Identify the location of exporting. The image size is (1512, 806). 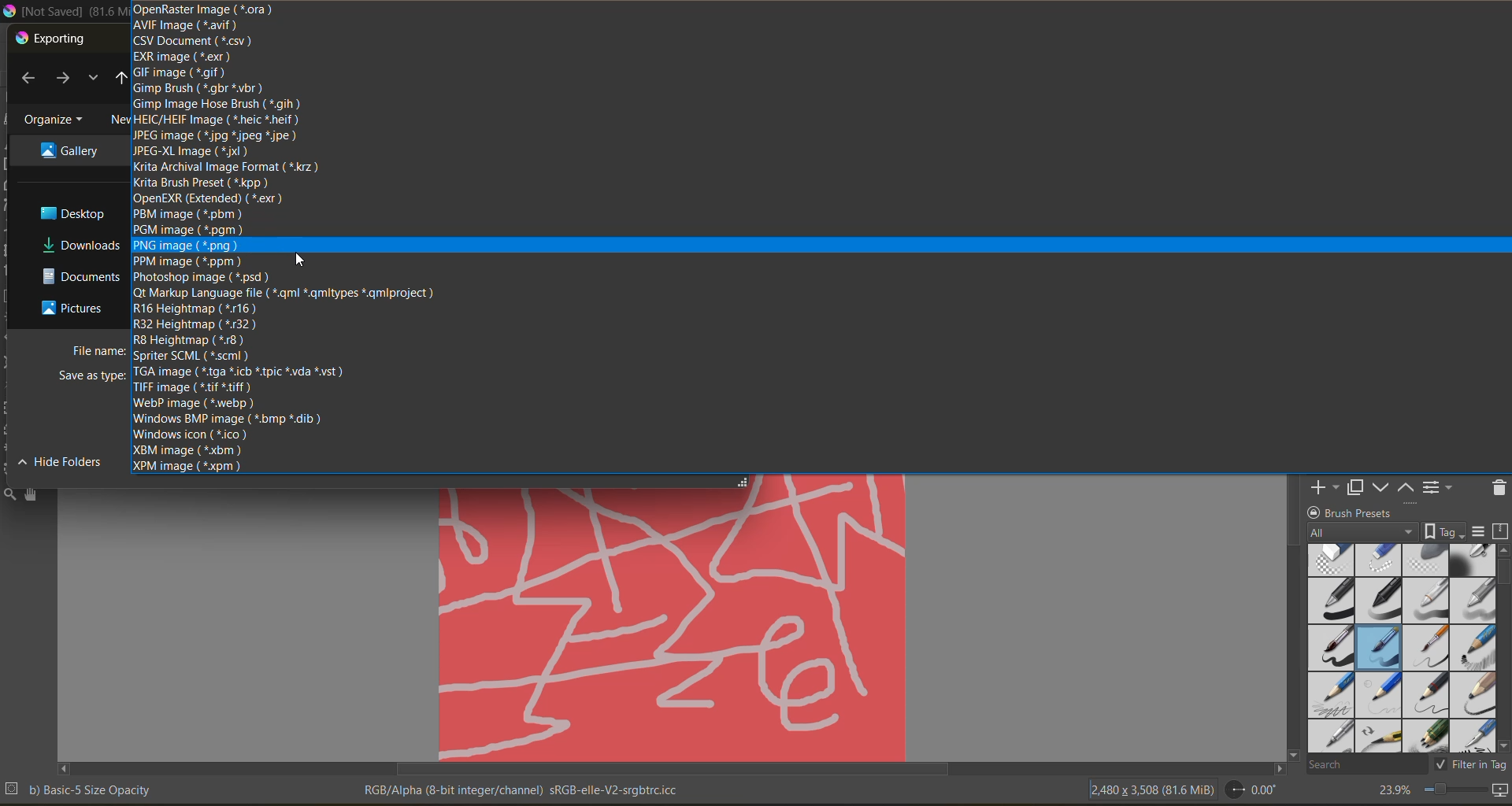
(53, 39).